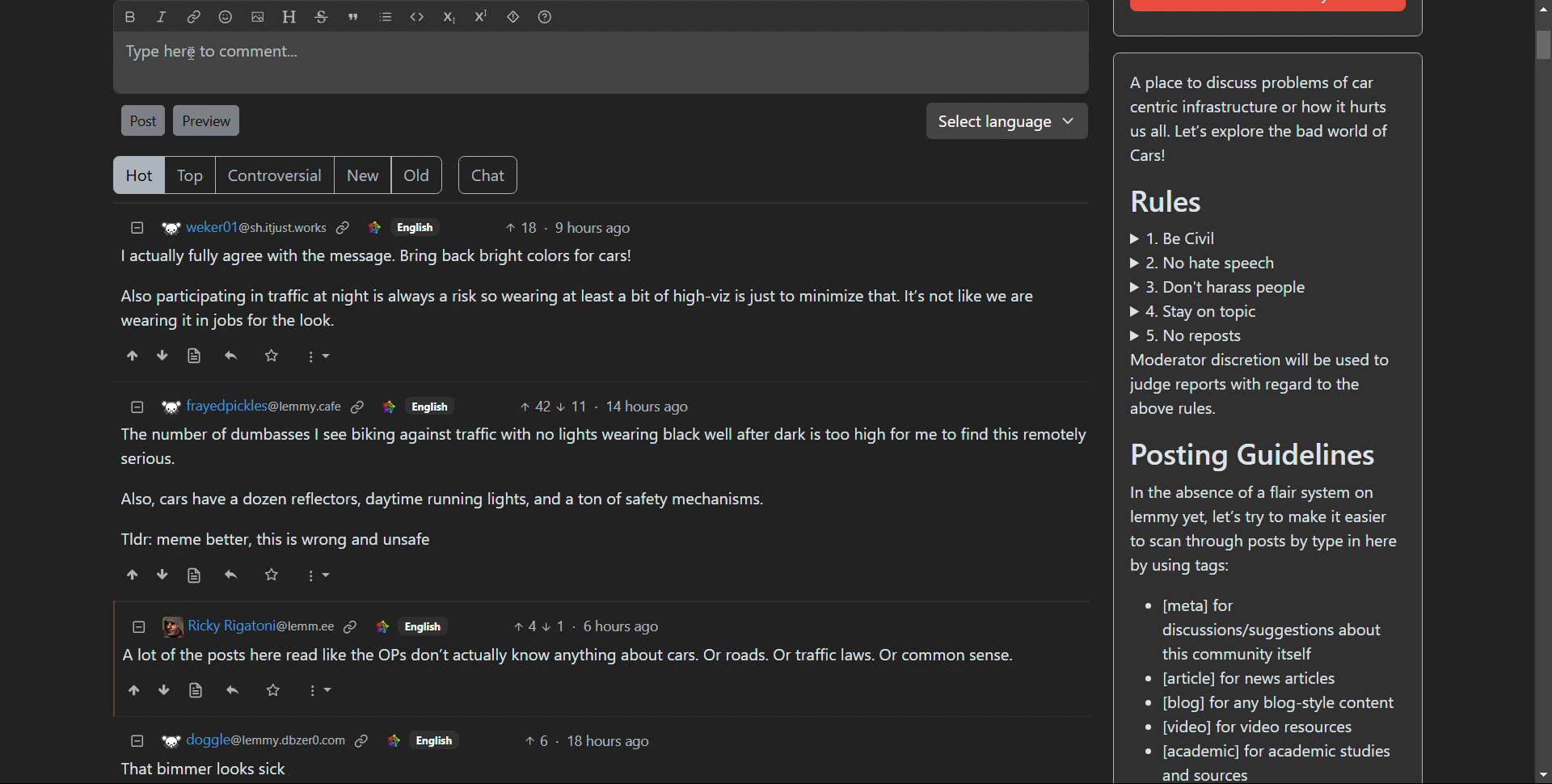 This screenshot has width=1552, height=784. What do you see at coordinates (575, 403) in the screenshot?
I see `Downvote 11` at bounding box center [575, 403].